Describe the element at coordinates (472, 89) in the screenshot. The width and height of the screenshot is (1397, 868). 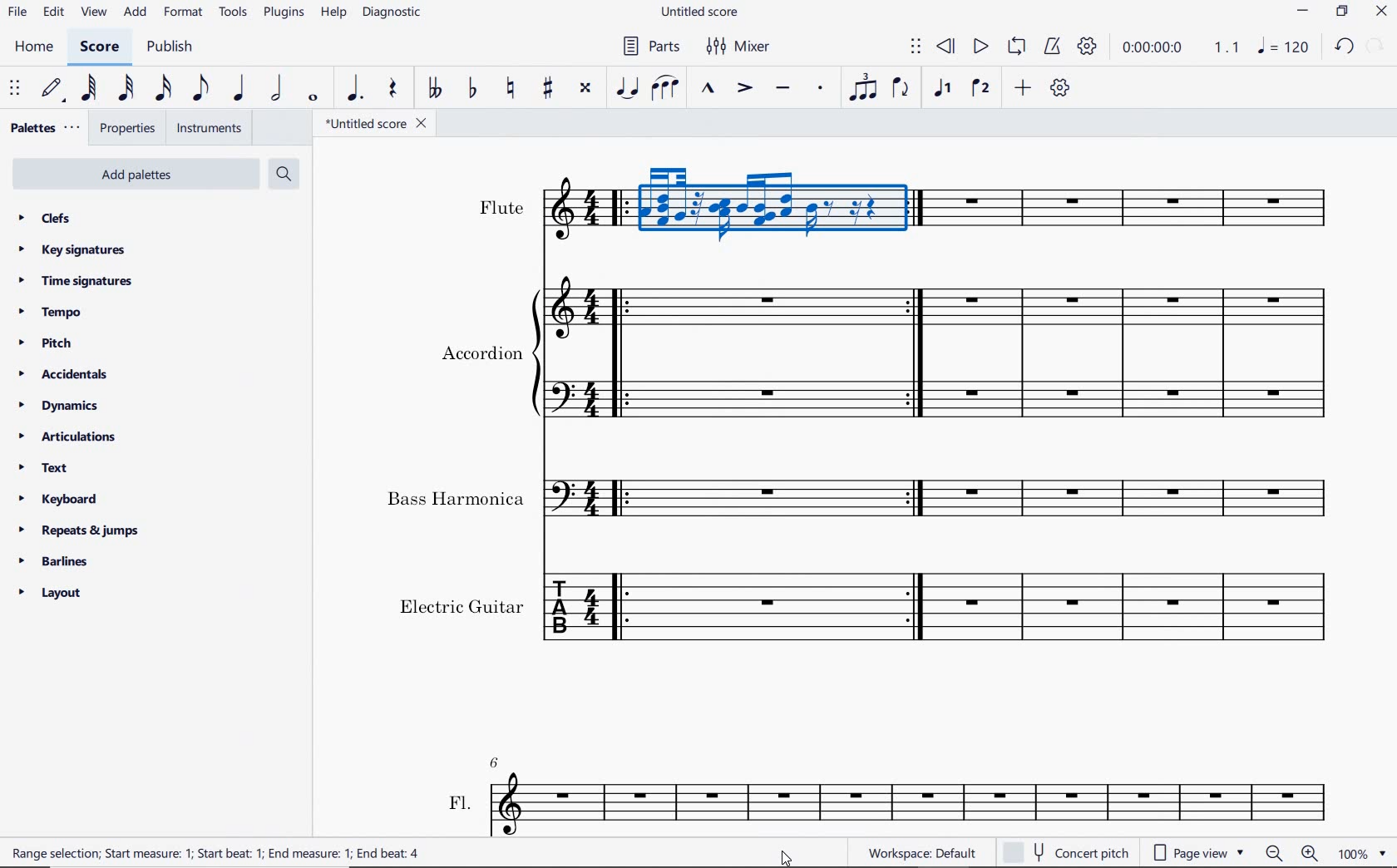
I see `toggle flat` at that location.